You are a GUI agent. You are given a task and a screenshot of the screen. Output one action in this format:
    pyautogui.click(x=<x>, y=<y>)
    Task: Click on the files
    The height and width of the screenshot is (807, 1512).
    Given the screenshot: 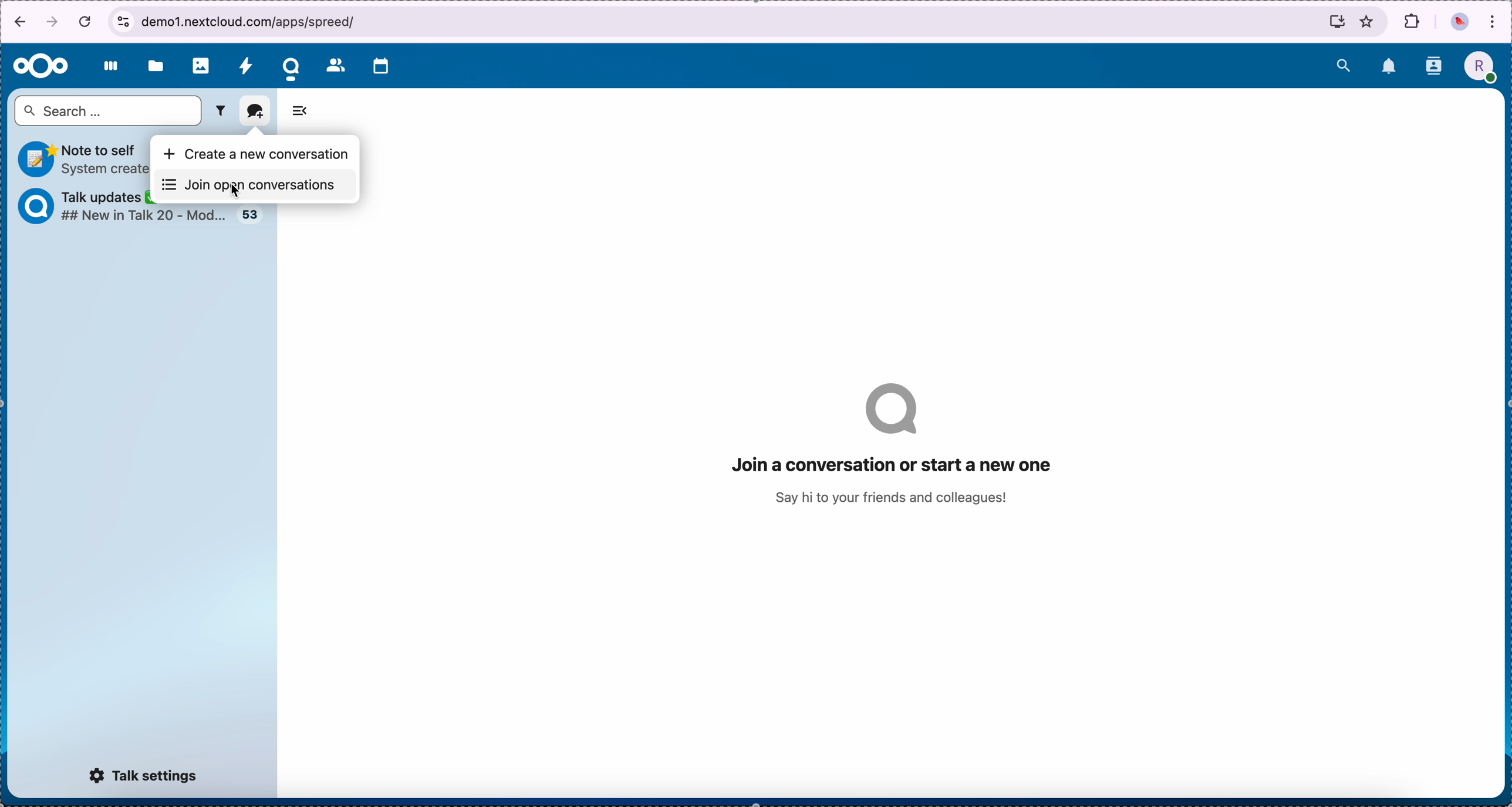 What is the action you would take?
    pyautogui.click(x=157, y=64)
    